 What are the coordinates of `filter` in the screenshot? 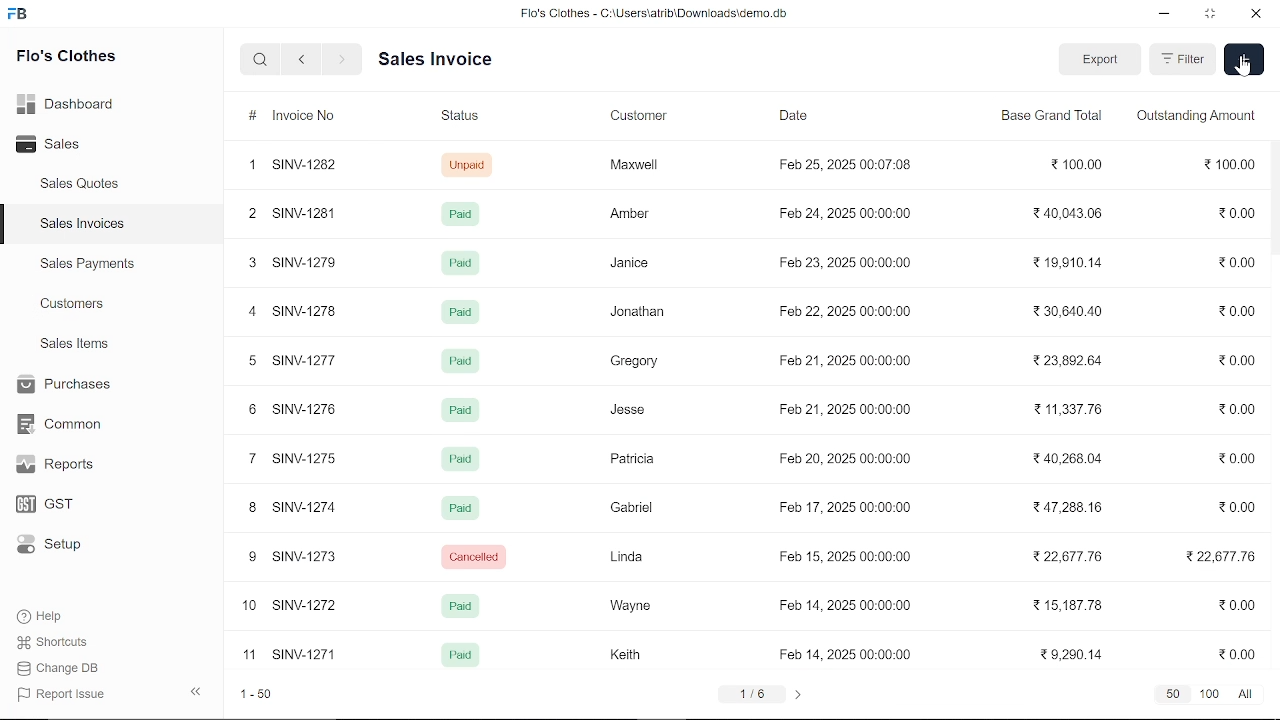 It's located at (1184, 60).